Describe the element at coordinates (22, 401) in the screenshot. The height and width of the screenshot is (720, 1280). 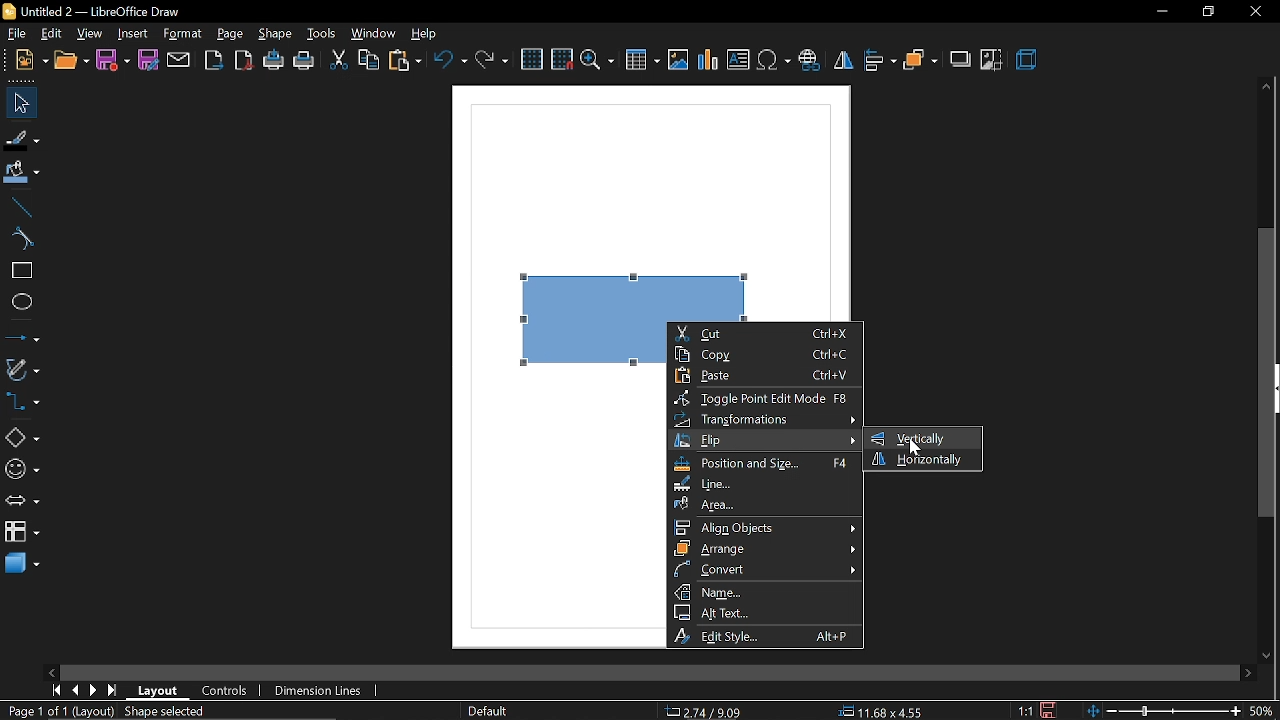
I see `connectors` at that location.